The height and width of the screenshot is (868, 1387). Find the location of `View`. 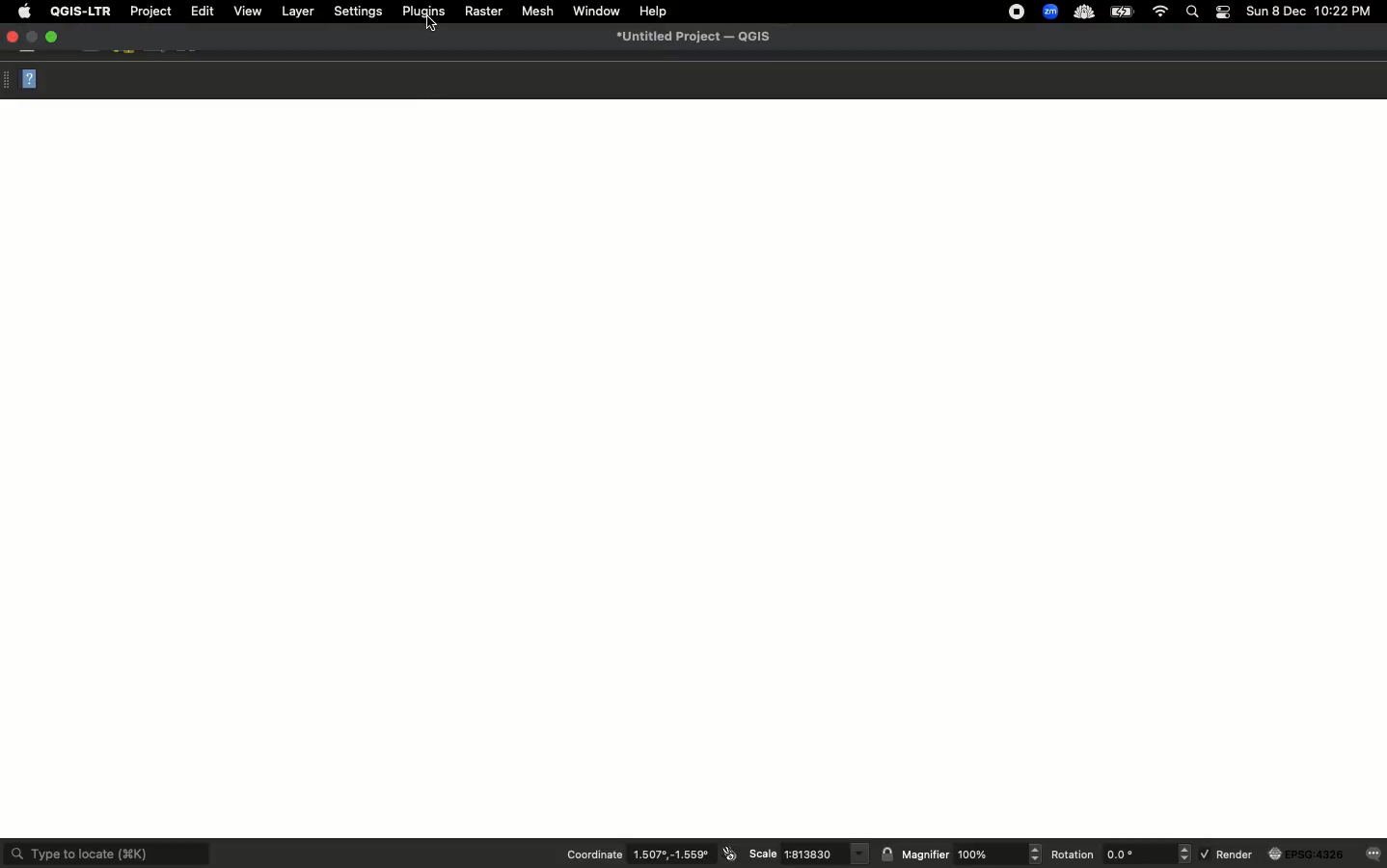

View is located at coordinates (248, 11).